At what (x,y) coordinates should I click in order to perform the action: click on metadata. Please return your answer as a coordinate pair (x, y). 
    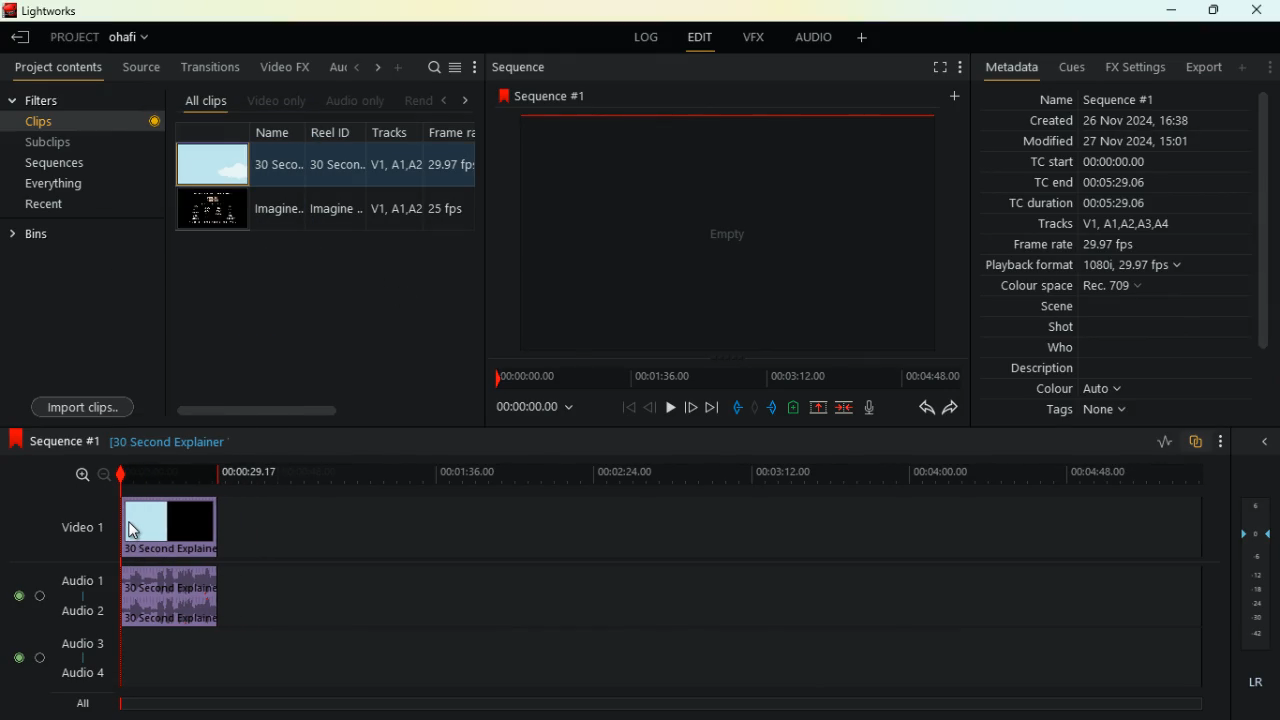
    Looking at the image, I should click on (1012, 68).